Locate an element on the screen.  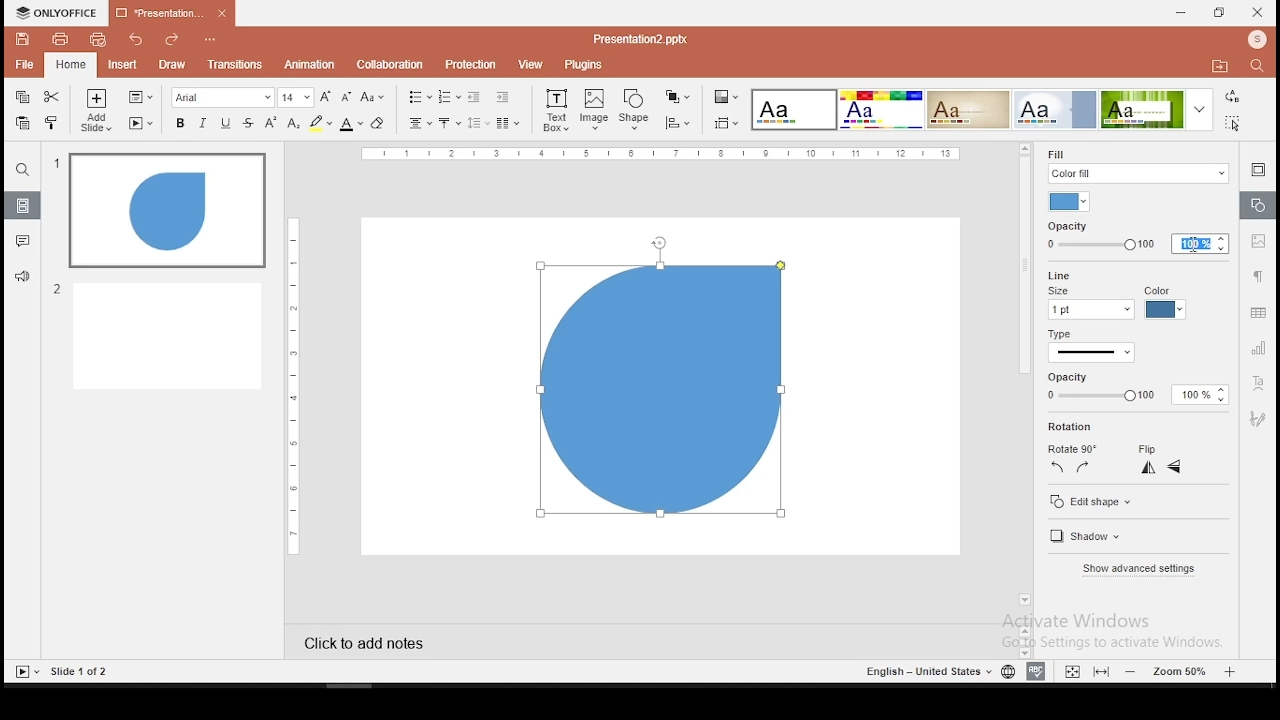
text art tool is located at coordinates (1260, 382).